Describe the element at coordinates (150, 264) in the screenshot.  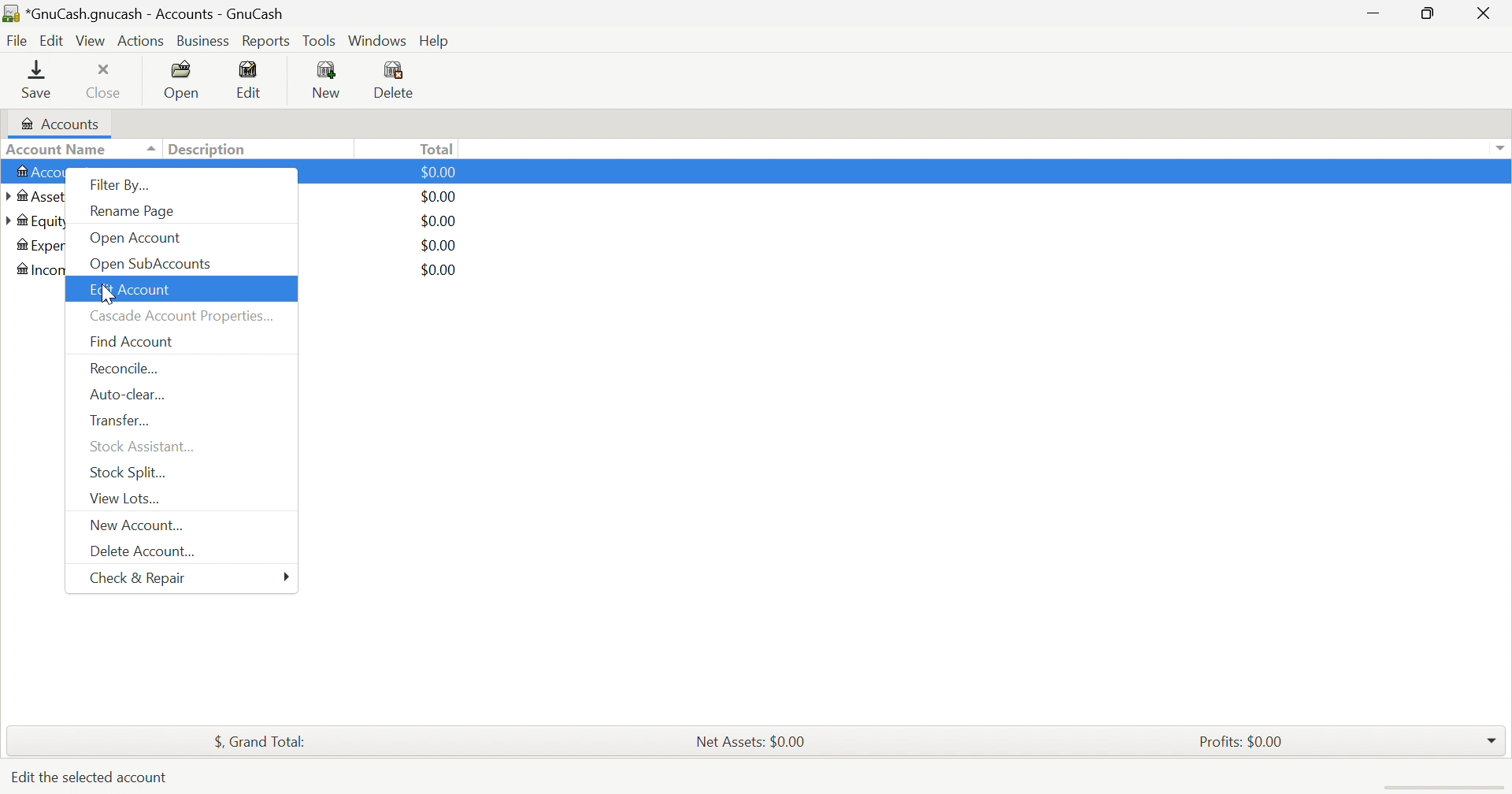
I see `Open Subaccounts` at that location.